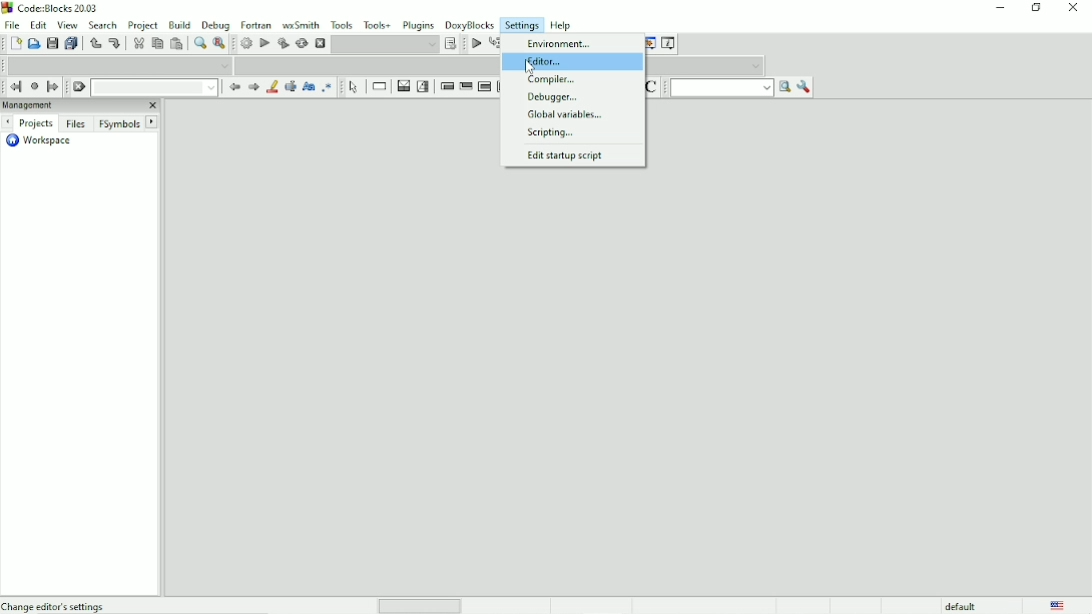 The width and height of the screenshot is (1092, 614). Describe the element at coordinates (495, 44) in the screenshot. I see `Run to cursor` at that location.